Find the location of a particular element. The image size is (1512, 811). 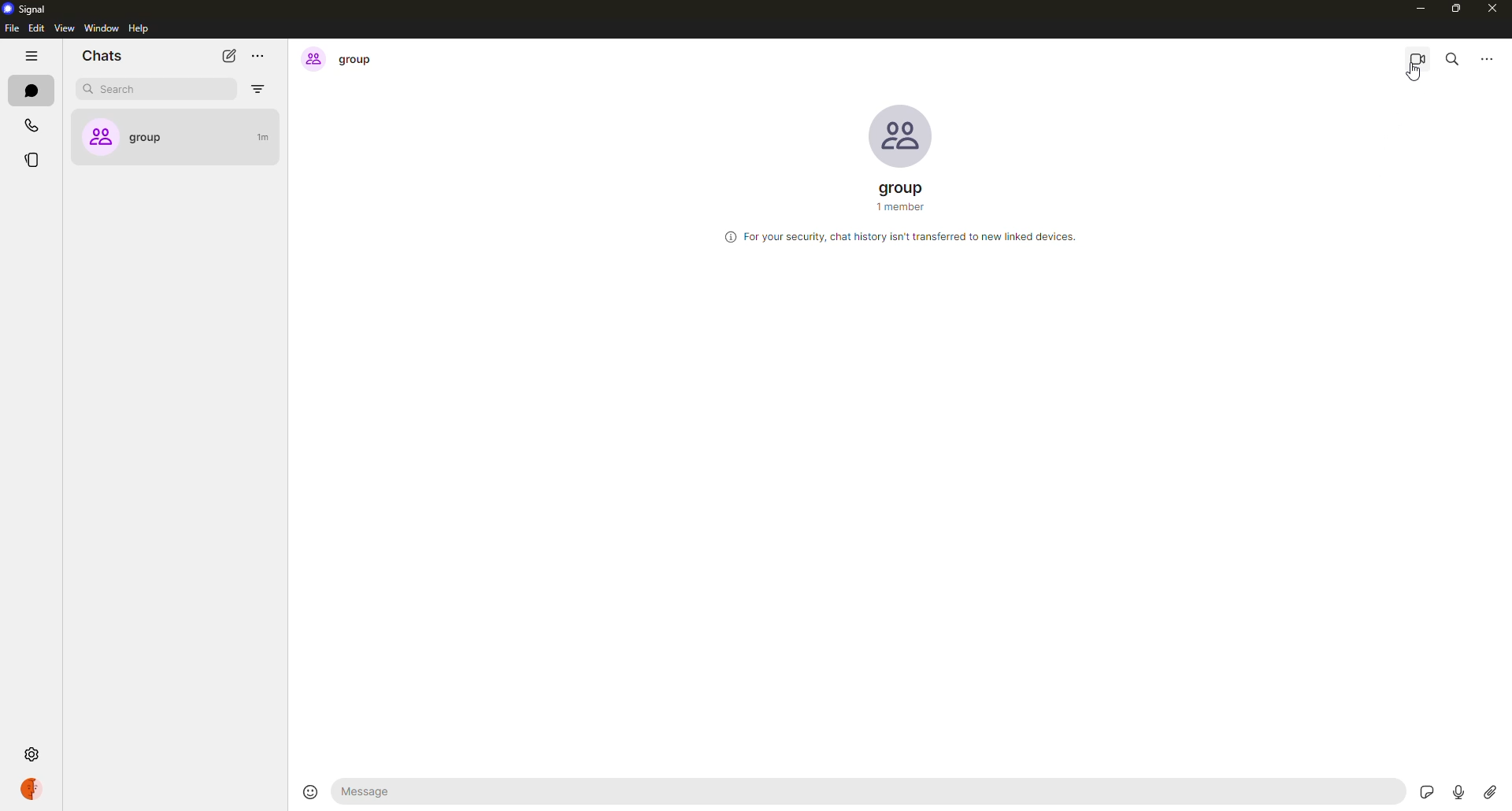

search is located at coordinates (125, 90).